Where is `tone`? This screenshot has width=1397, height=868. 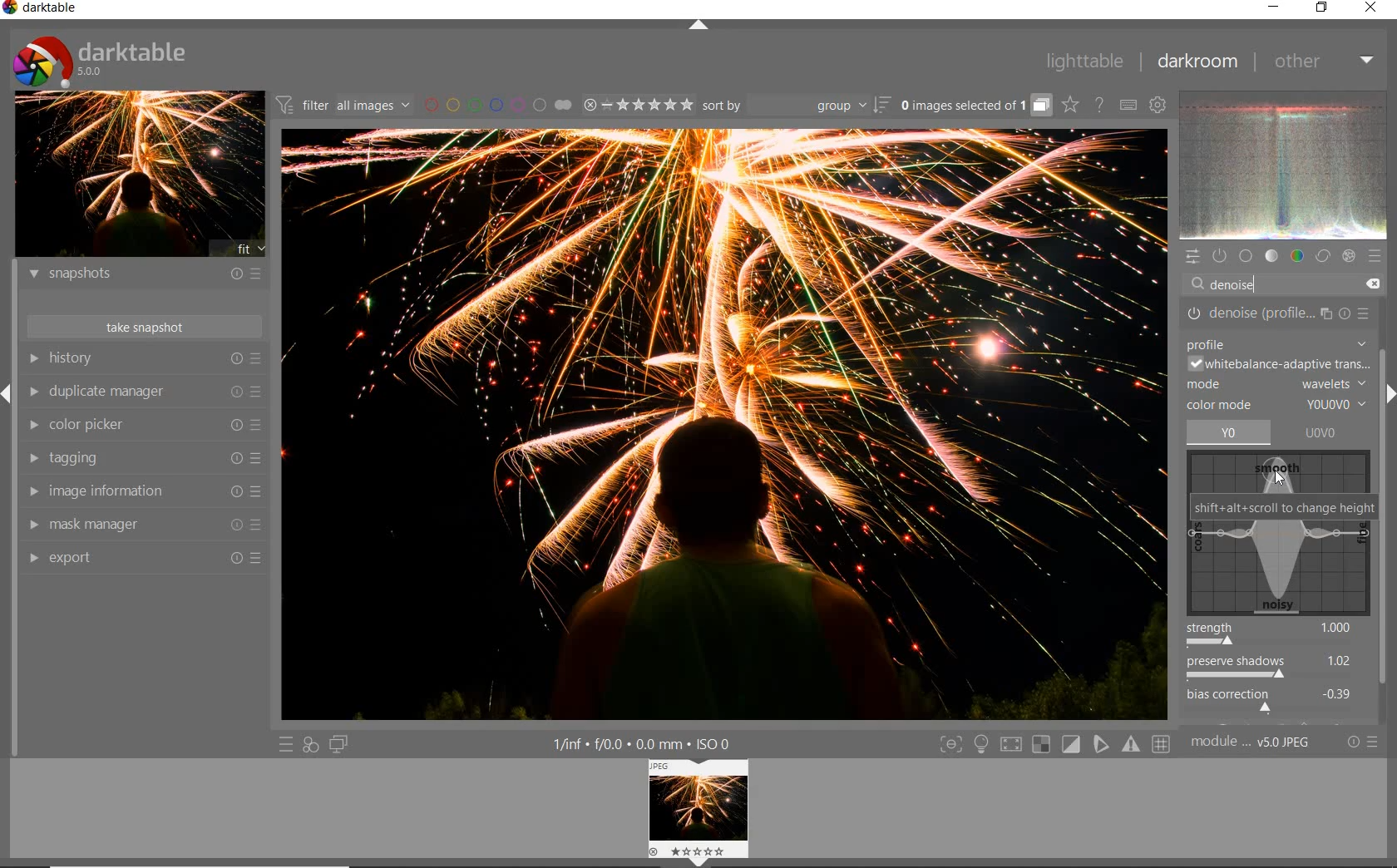
tone is located at coordinates (1273, 257).